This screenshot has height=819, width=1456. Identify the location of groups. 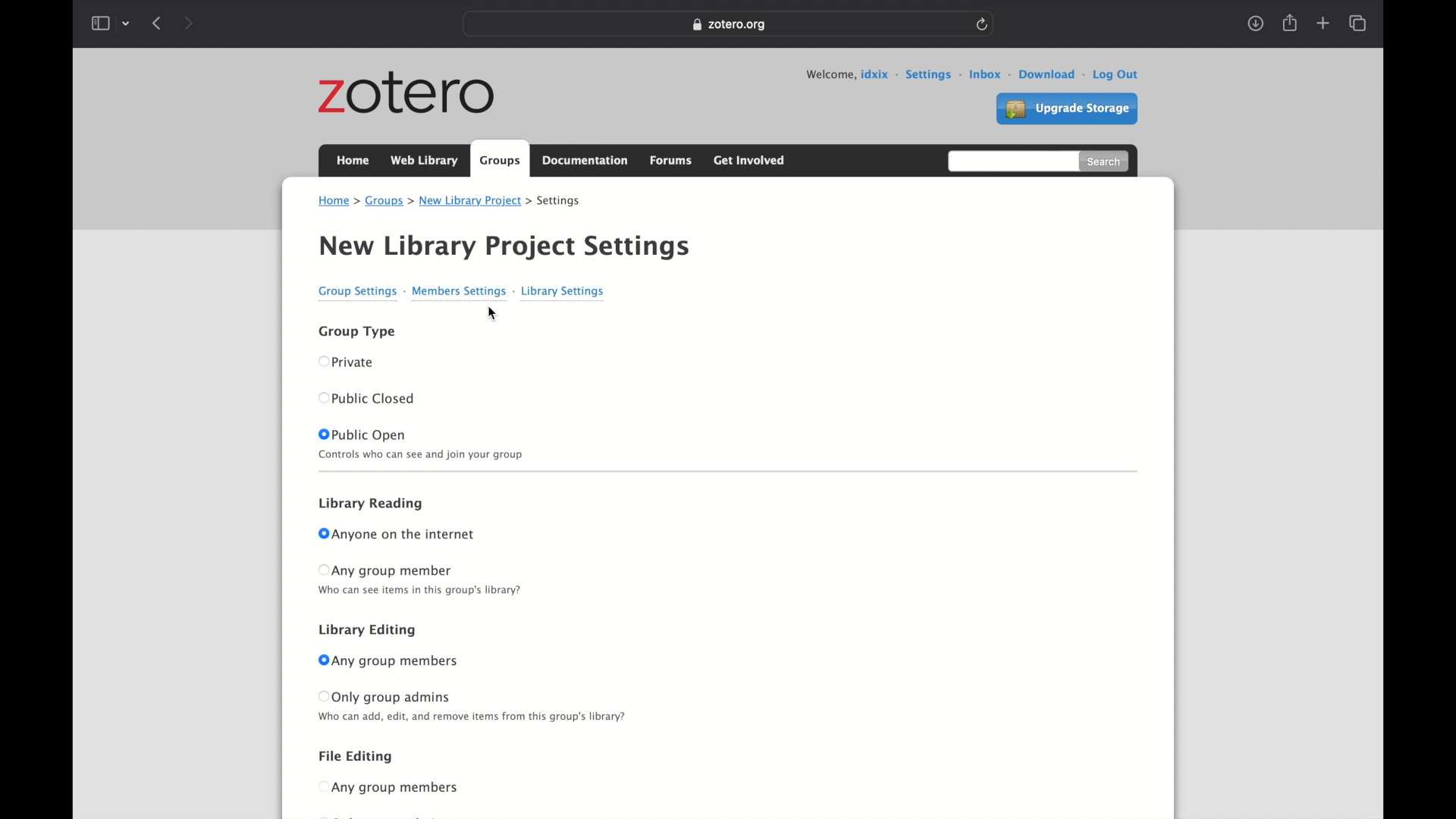
(388, 201).